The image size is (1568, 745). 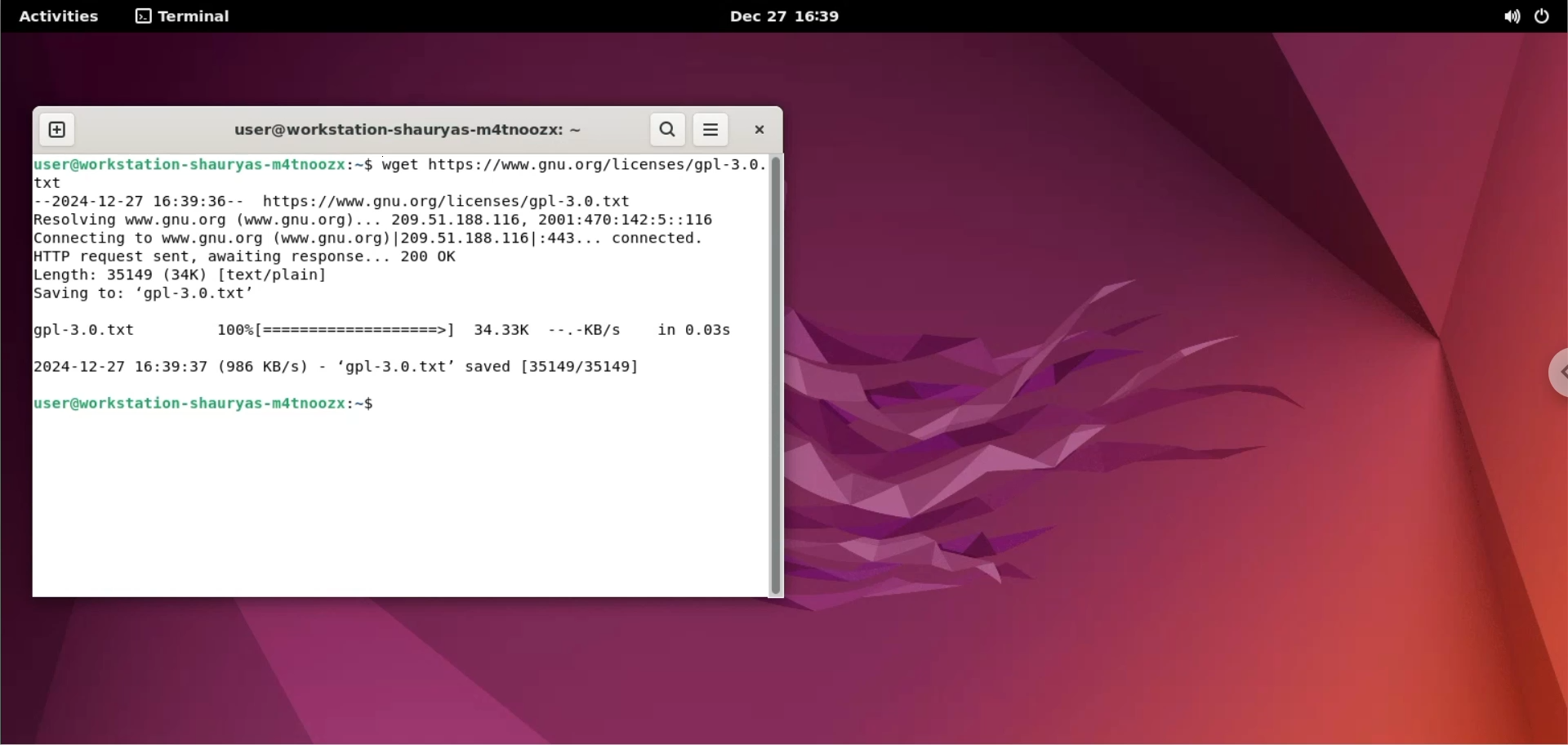 I want to click on power, so click(x=1546, y=16).